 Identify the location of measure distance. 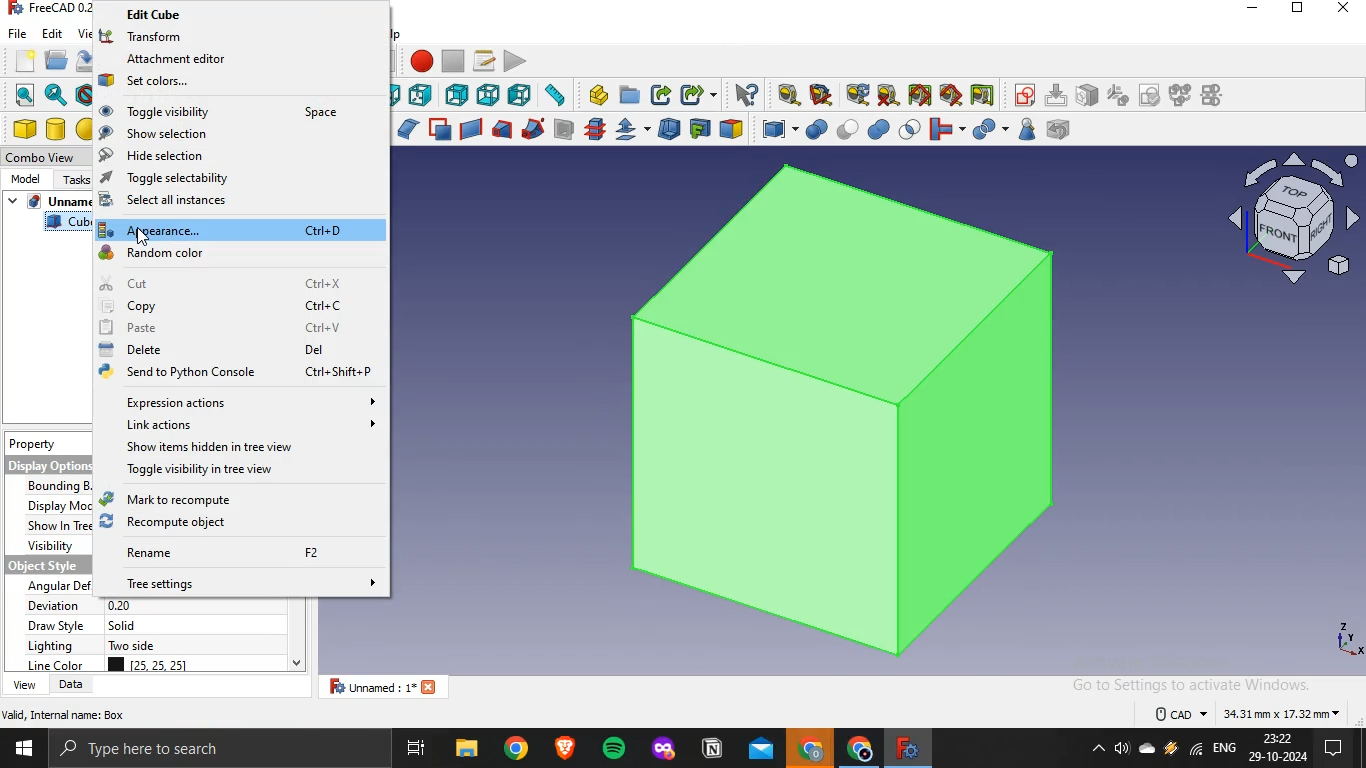
(555, 94).